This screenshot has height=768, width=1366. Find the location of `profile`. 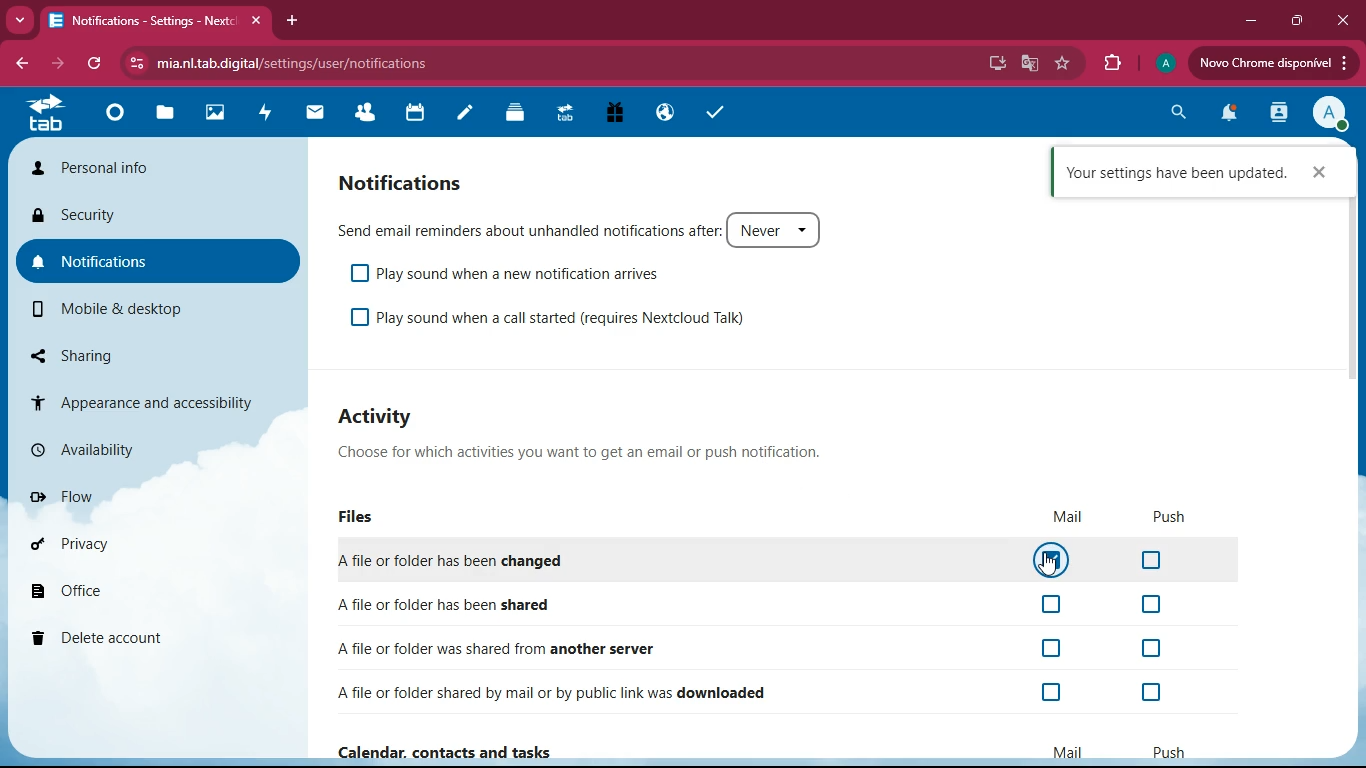

profile is located at coordinates (1327, 112).